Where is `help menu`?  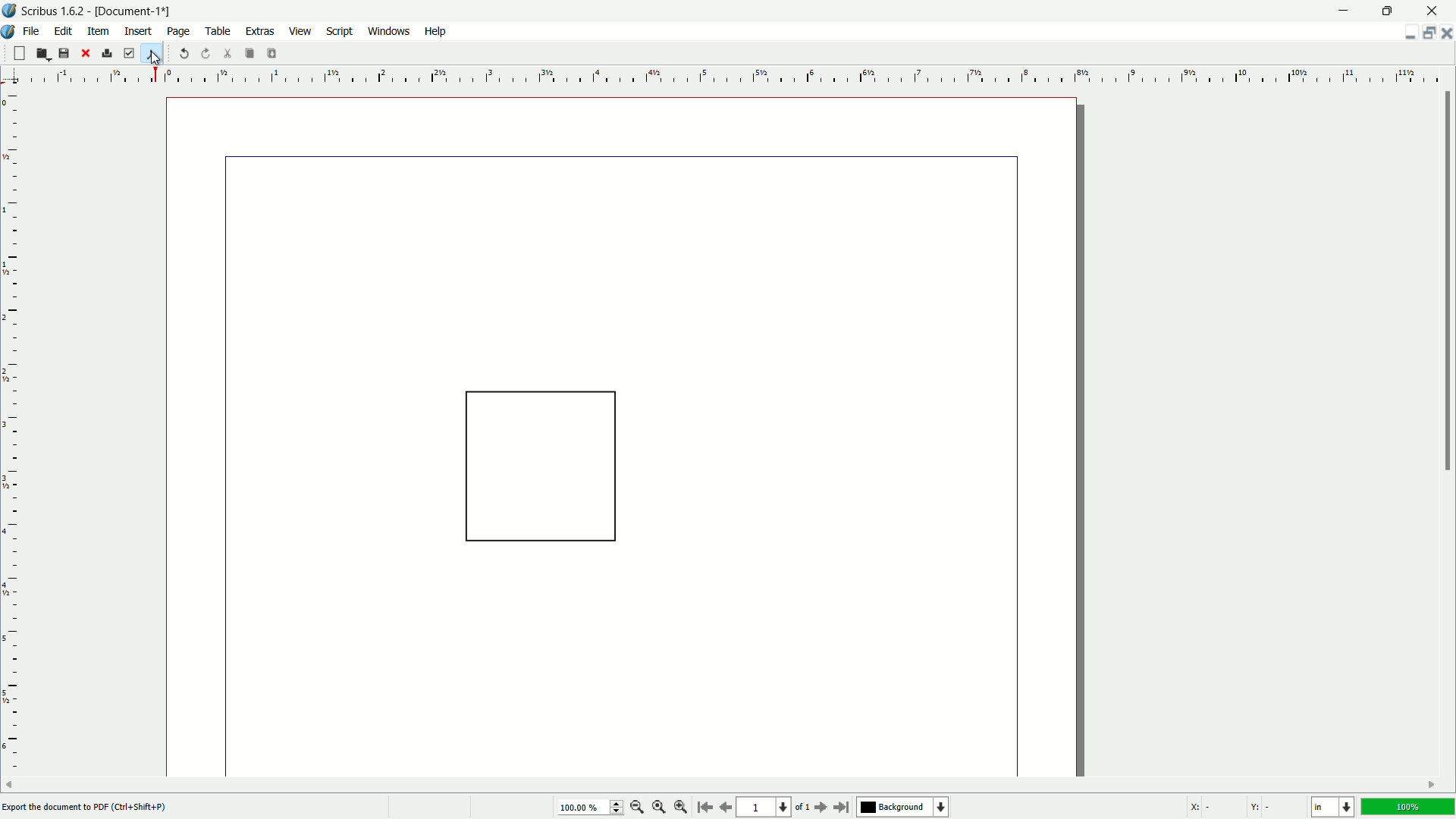 help menu is located at coordinates (435, 32).